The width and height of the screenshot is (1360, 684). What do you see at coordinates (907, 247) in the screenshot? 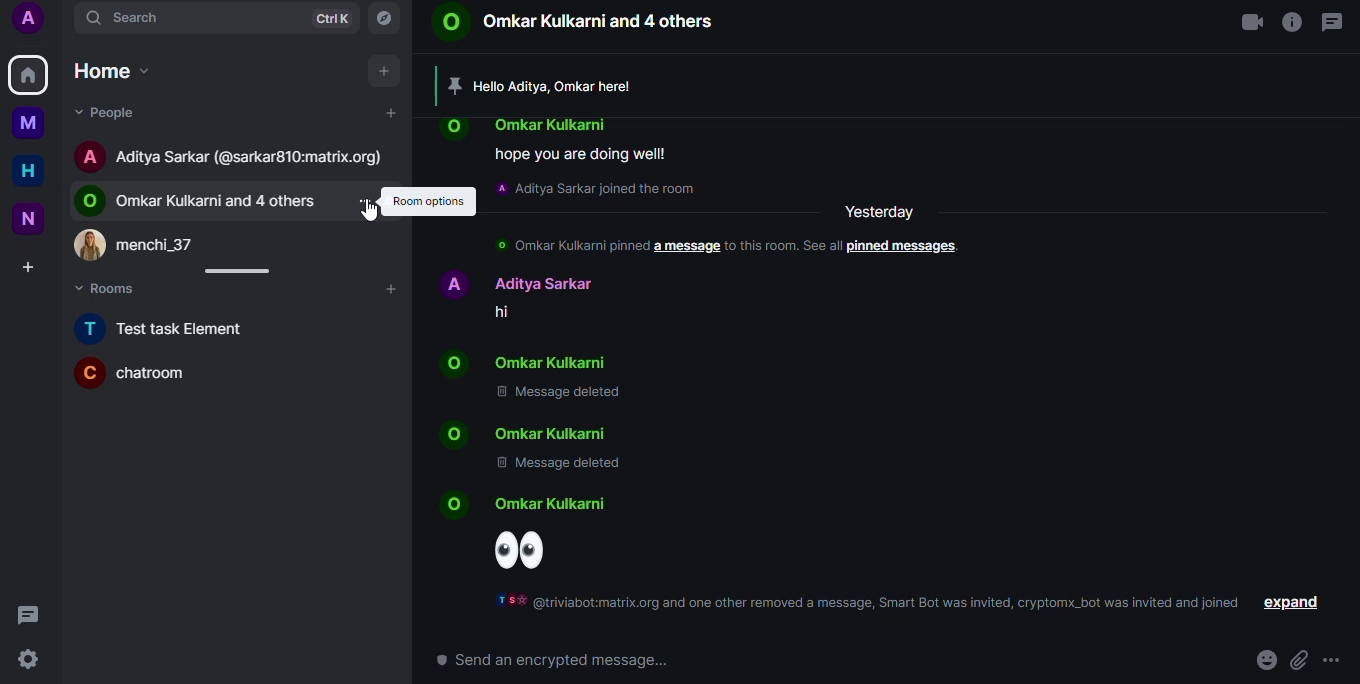
I see `pinned messages` at bounding box center [907, 247].